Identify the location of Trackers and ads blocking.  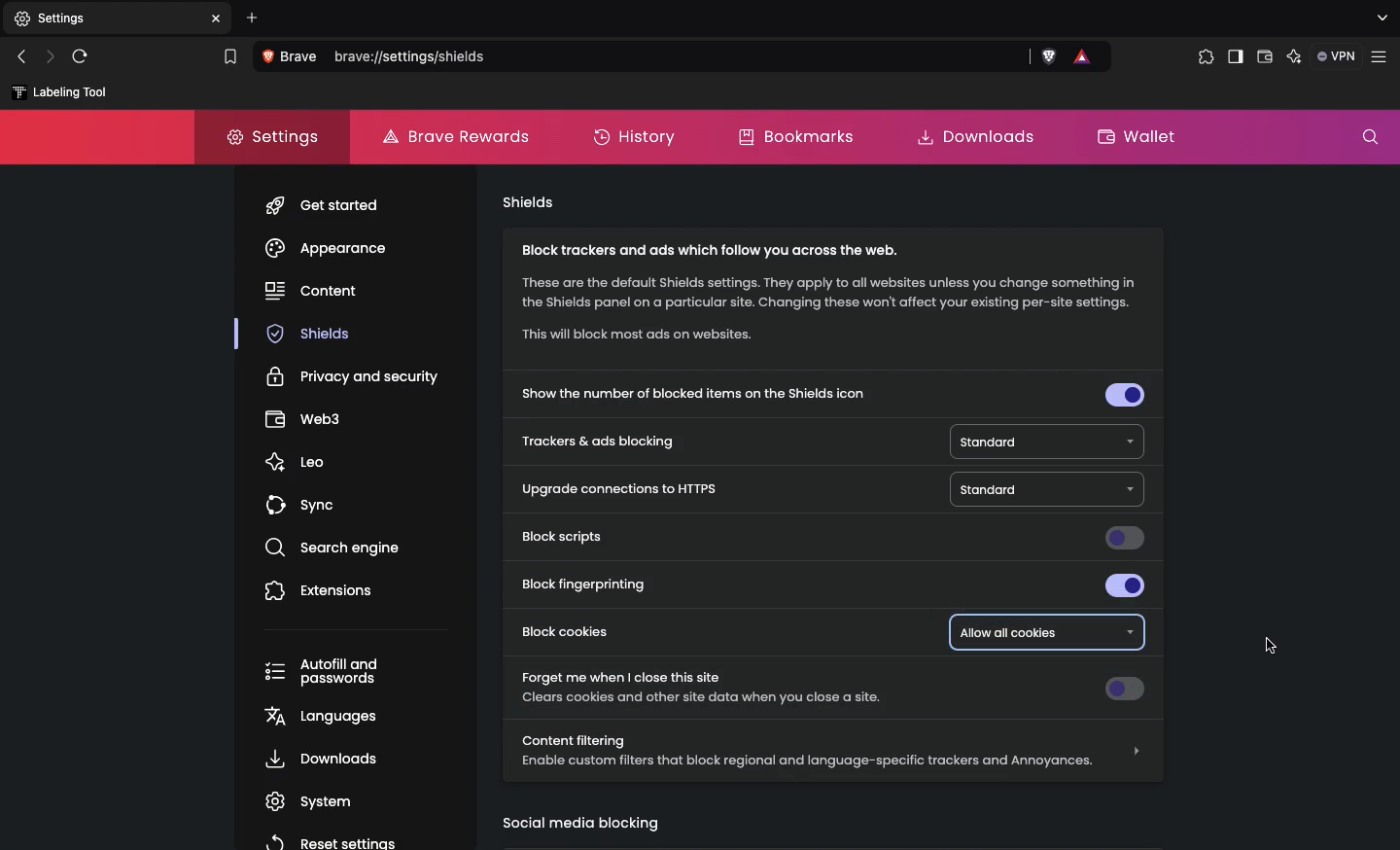
(601, 443).